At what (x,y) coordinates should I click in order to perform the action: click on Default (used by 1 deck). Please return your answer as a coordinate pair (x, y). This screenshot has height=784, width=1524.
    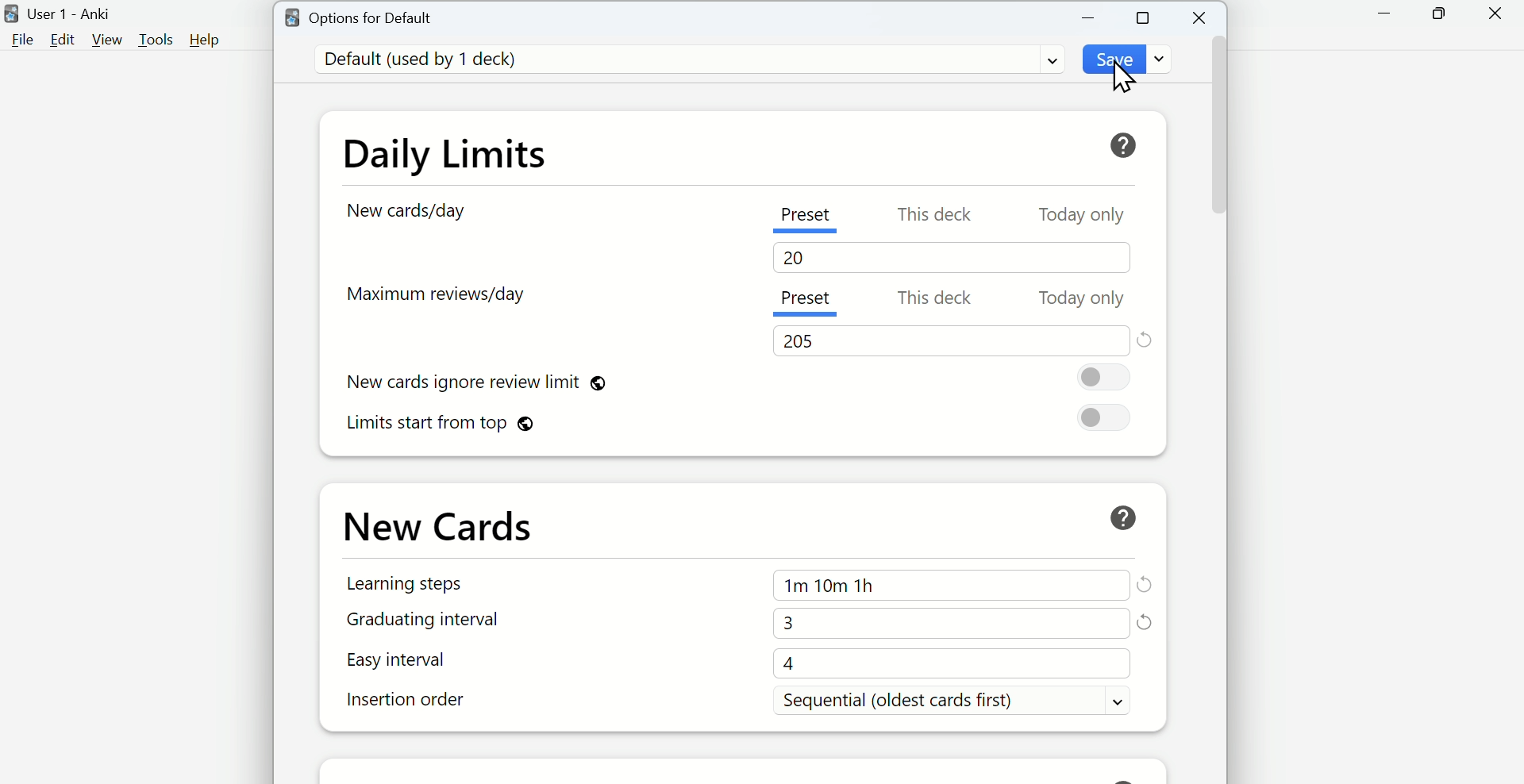
    Looking at the image, I should click on (429, 60).